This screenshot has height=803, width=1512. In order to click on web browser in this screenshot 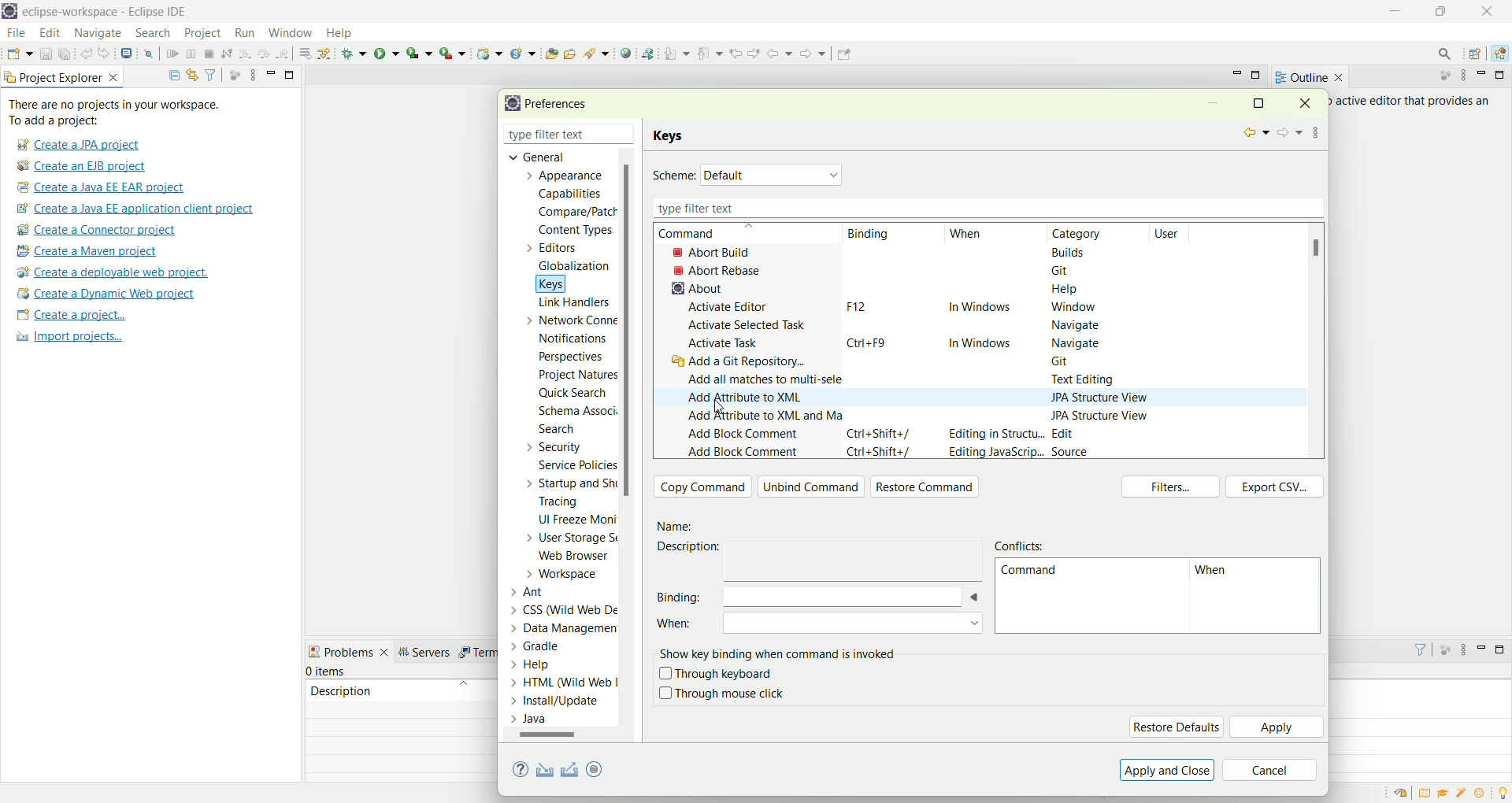, I will do `click(579, 557)`.